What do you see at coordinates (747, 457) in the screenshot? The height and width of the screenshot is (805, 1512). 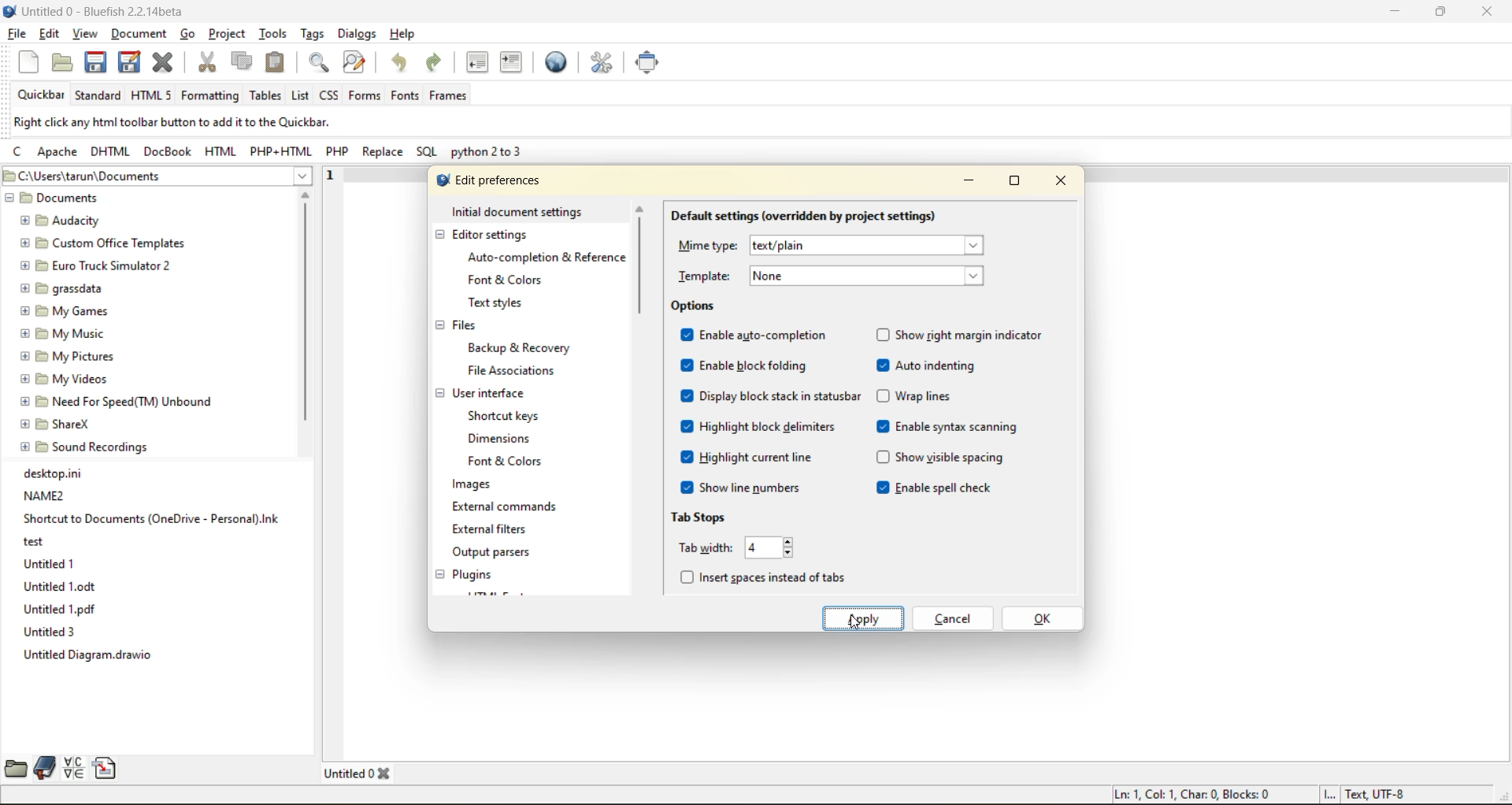 I see `highlight current line` at bounding box center [747, 457].